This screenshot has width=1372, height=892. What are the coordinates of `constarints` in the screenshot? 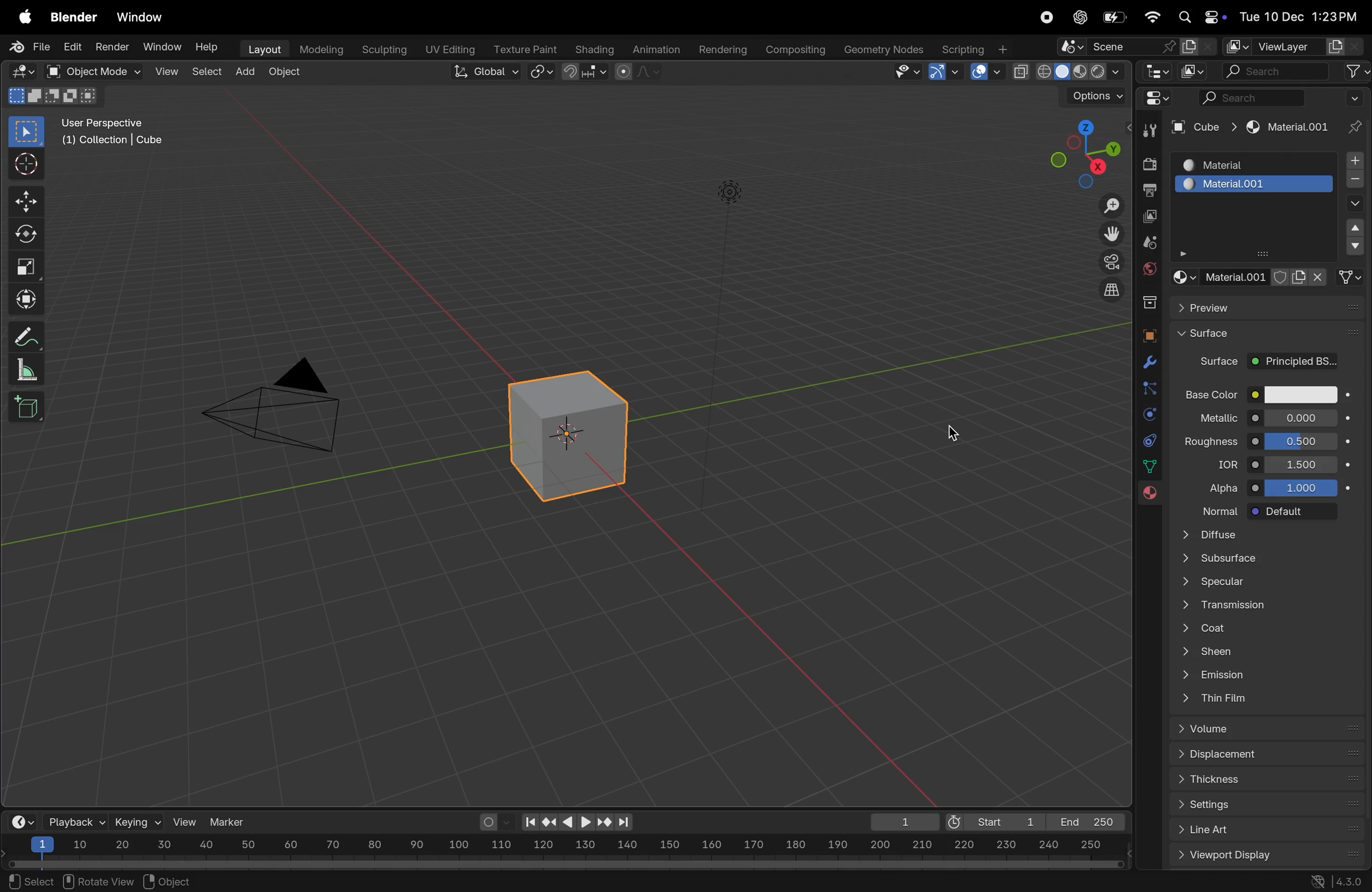 It's located at (1149, 443).